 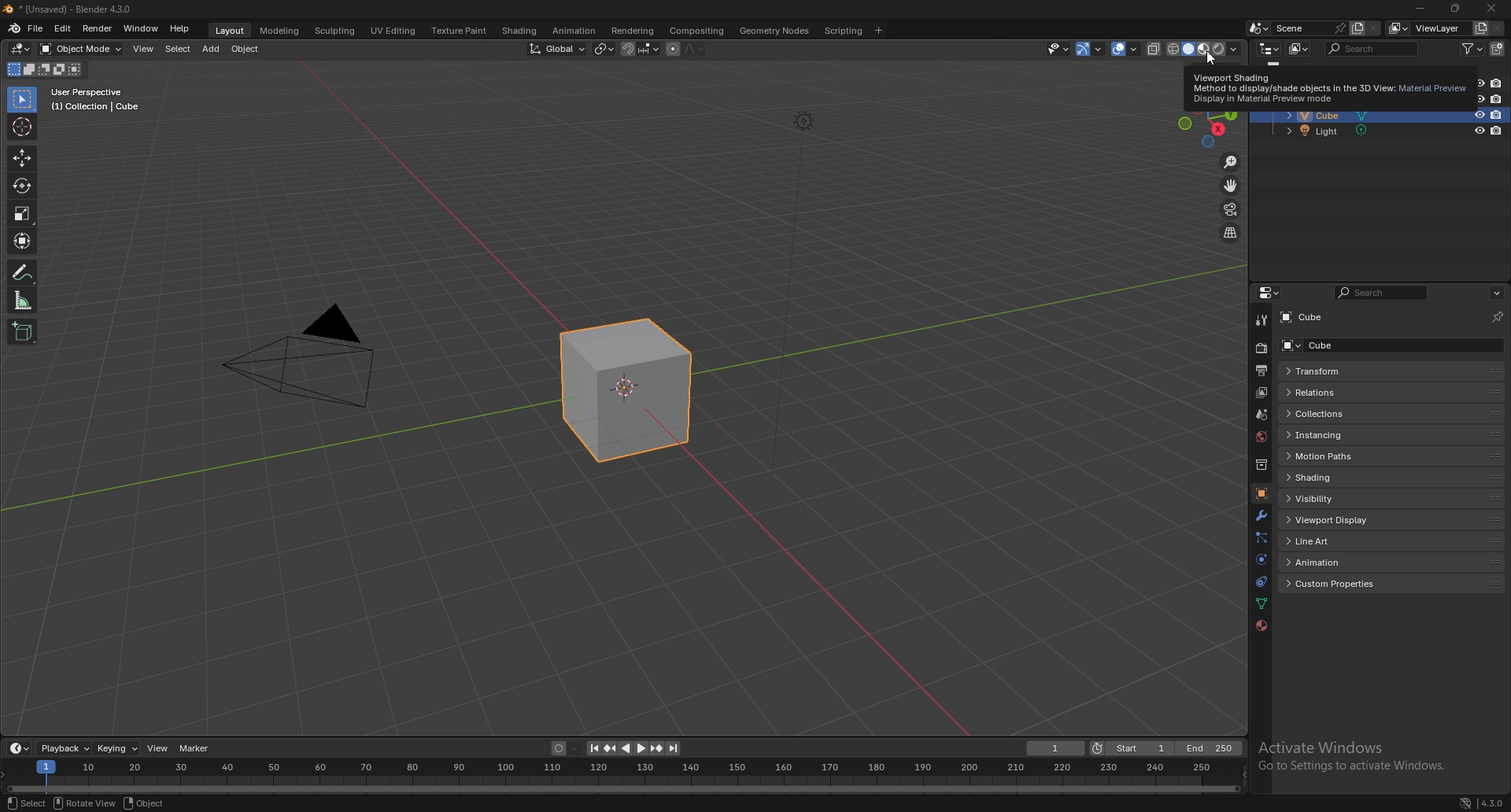 I want to click on view layer, so click(x=1428, y=28).